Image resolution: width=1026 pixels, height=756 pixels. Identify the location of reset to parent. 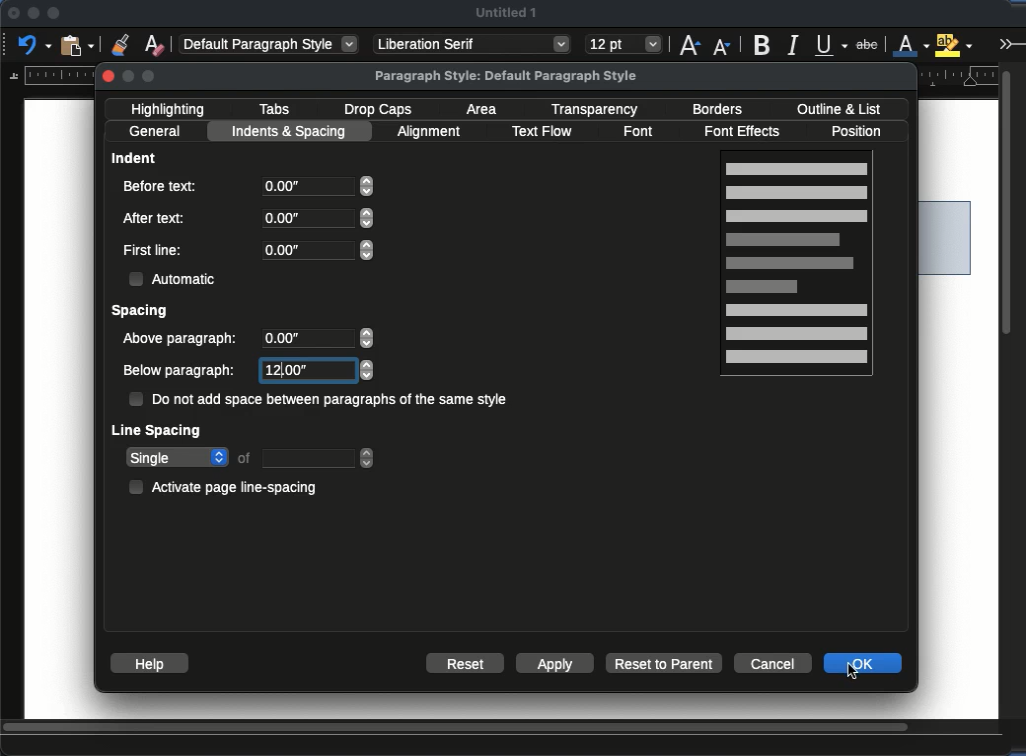
(665, 663).